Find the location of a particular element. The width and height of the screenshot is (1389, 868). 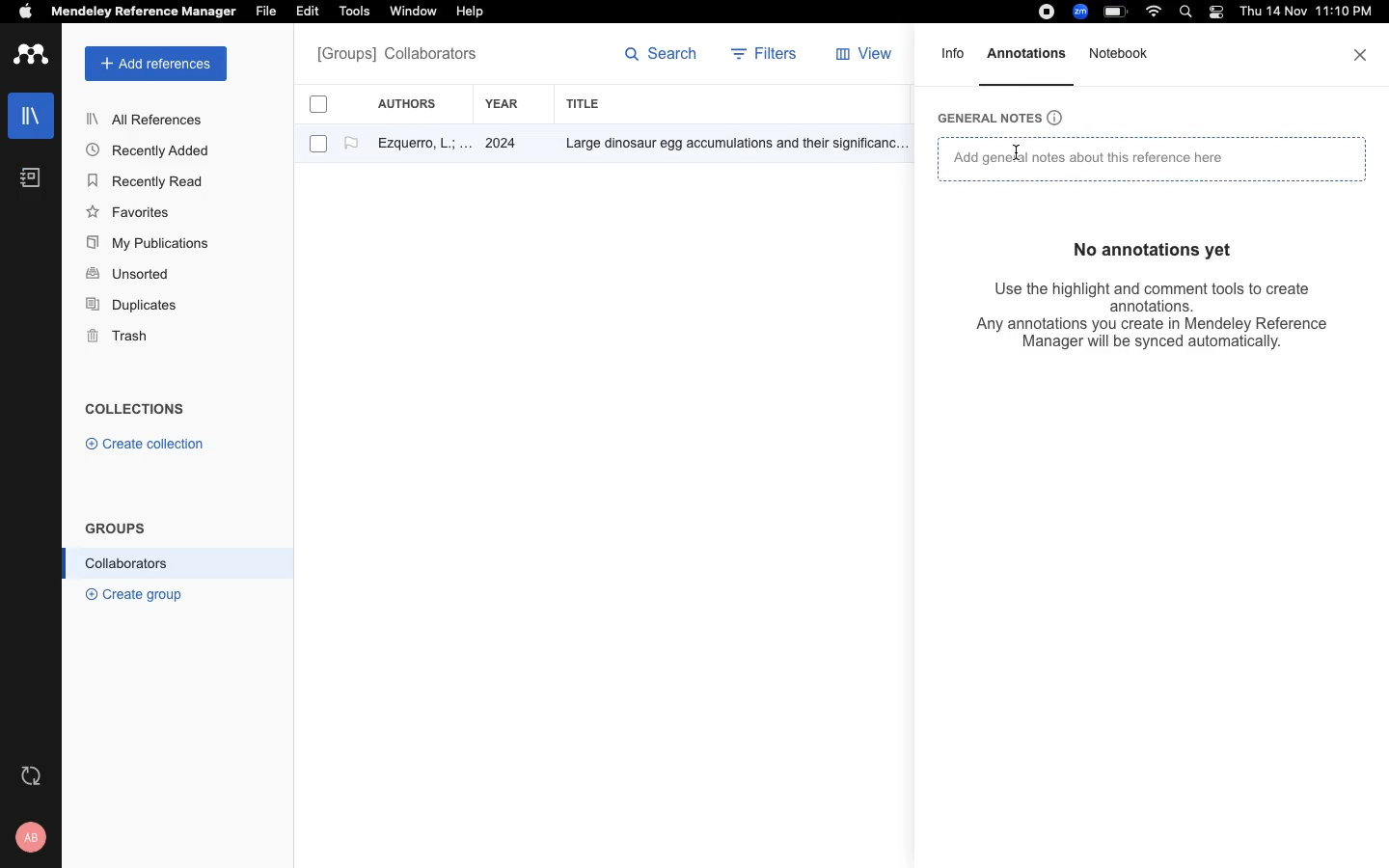

apple logo is located at coordinates (26, 14).